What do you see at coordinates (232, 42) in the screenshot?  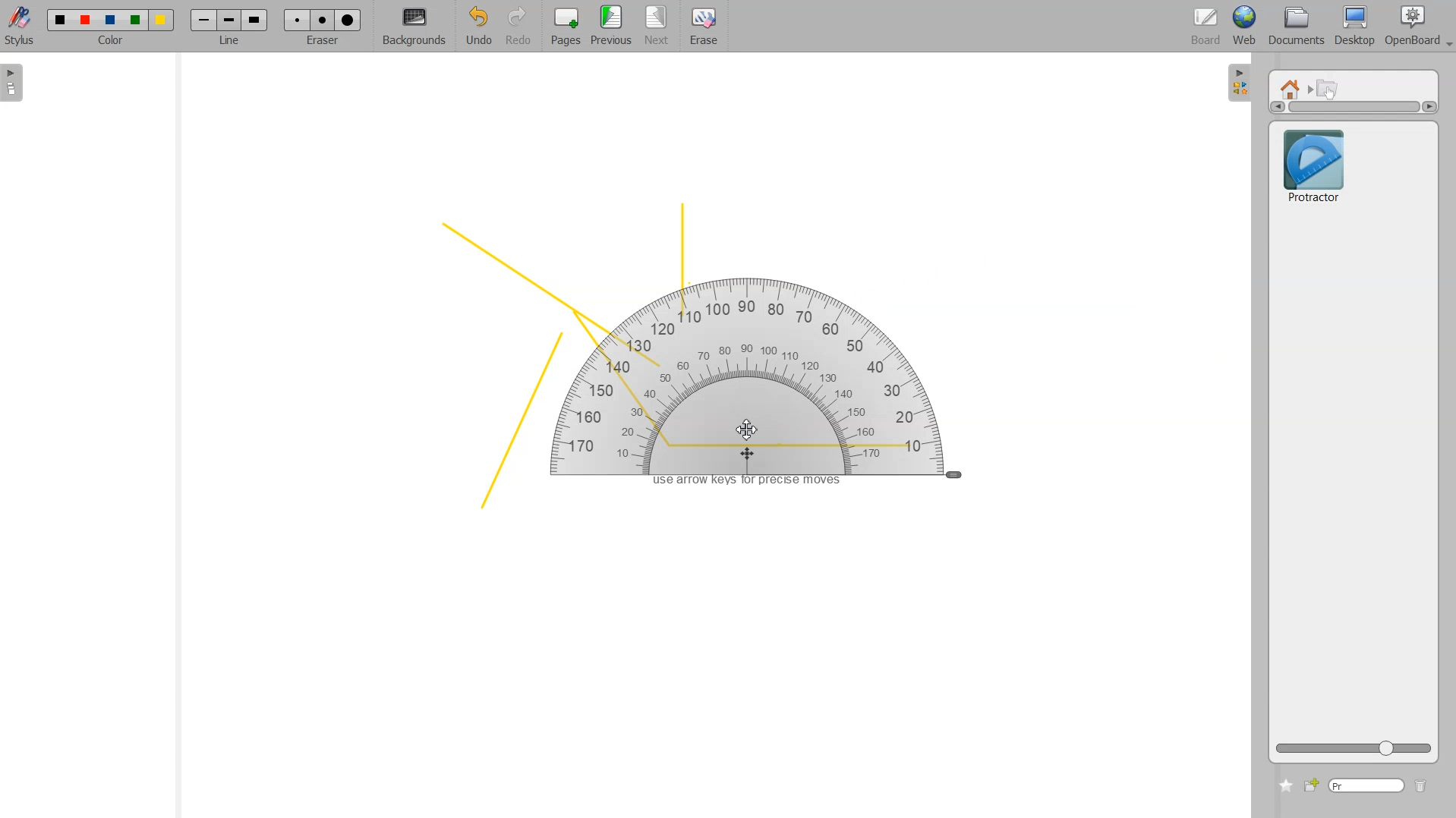 I see `line` at bounding box center [232, 42].